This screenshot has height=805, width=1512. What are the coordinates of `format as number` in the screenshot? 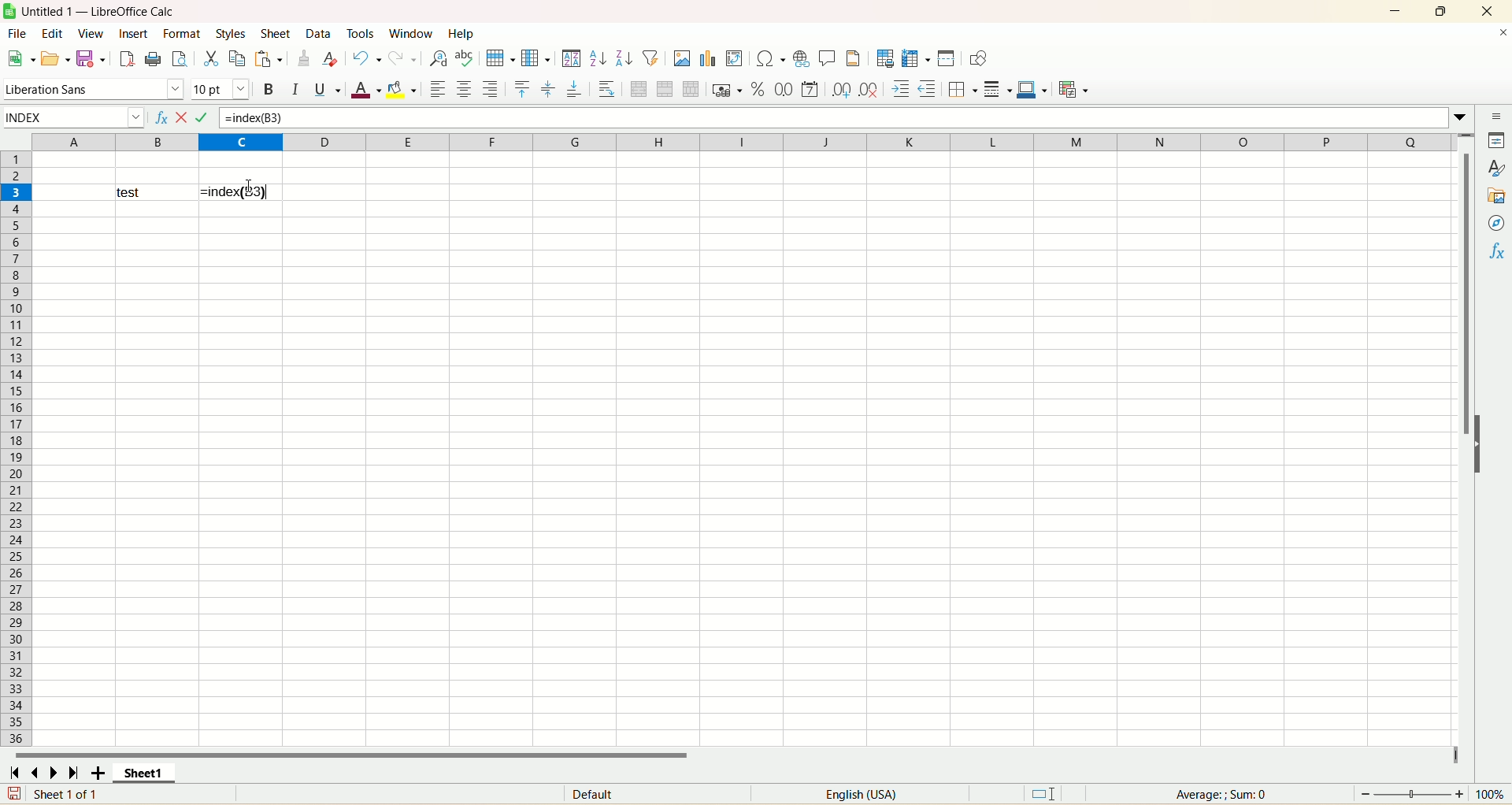 It's located at (810, 89).